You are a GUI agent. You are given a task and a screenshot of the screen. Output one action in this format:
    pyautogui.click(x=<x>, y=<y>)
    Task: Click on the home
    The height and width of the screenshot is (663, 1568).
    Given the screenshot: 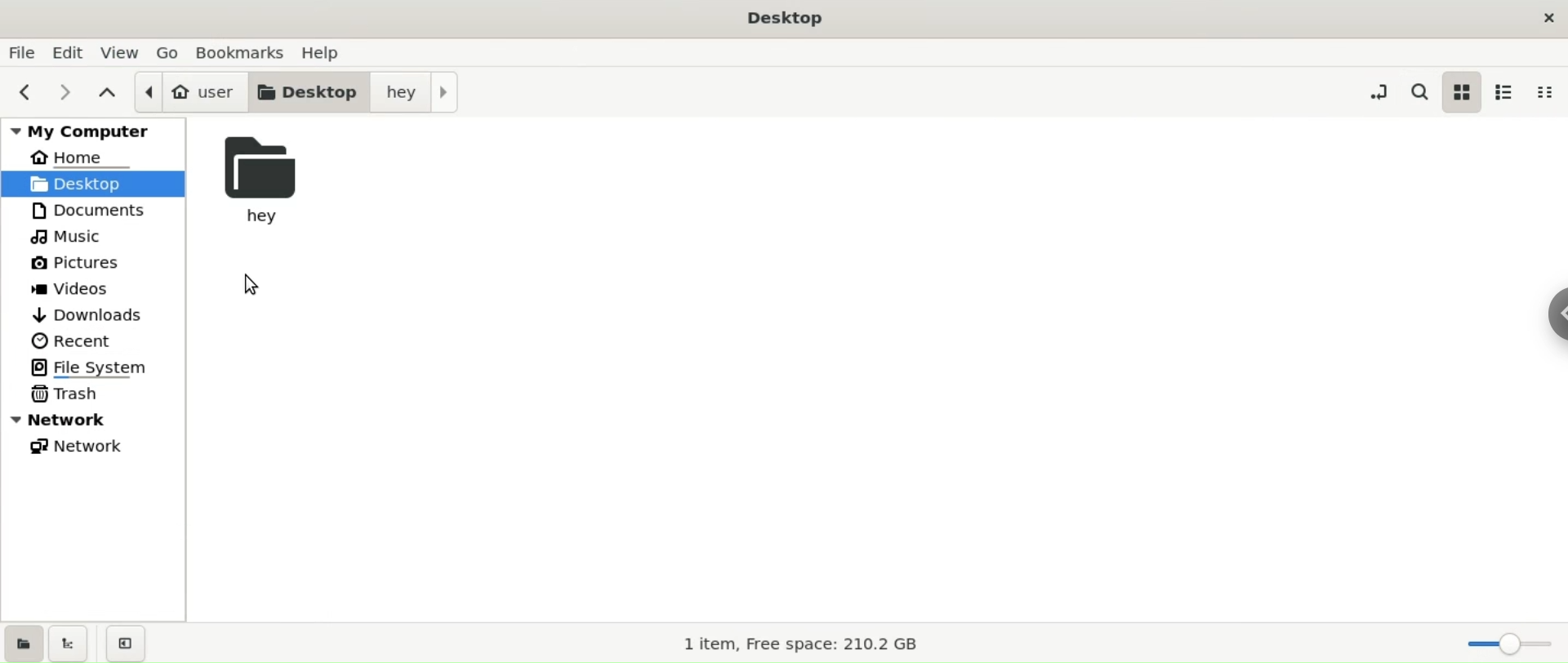 What is the action you would take?
    pyautogui.click(x=100, y=158)
    